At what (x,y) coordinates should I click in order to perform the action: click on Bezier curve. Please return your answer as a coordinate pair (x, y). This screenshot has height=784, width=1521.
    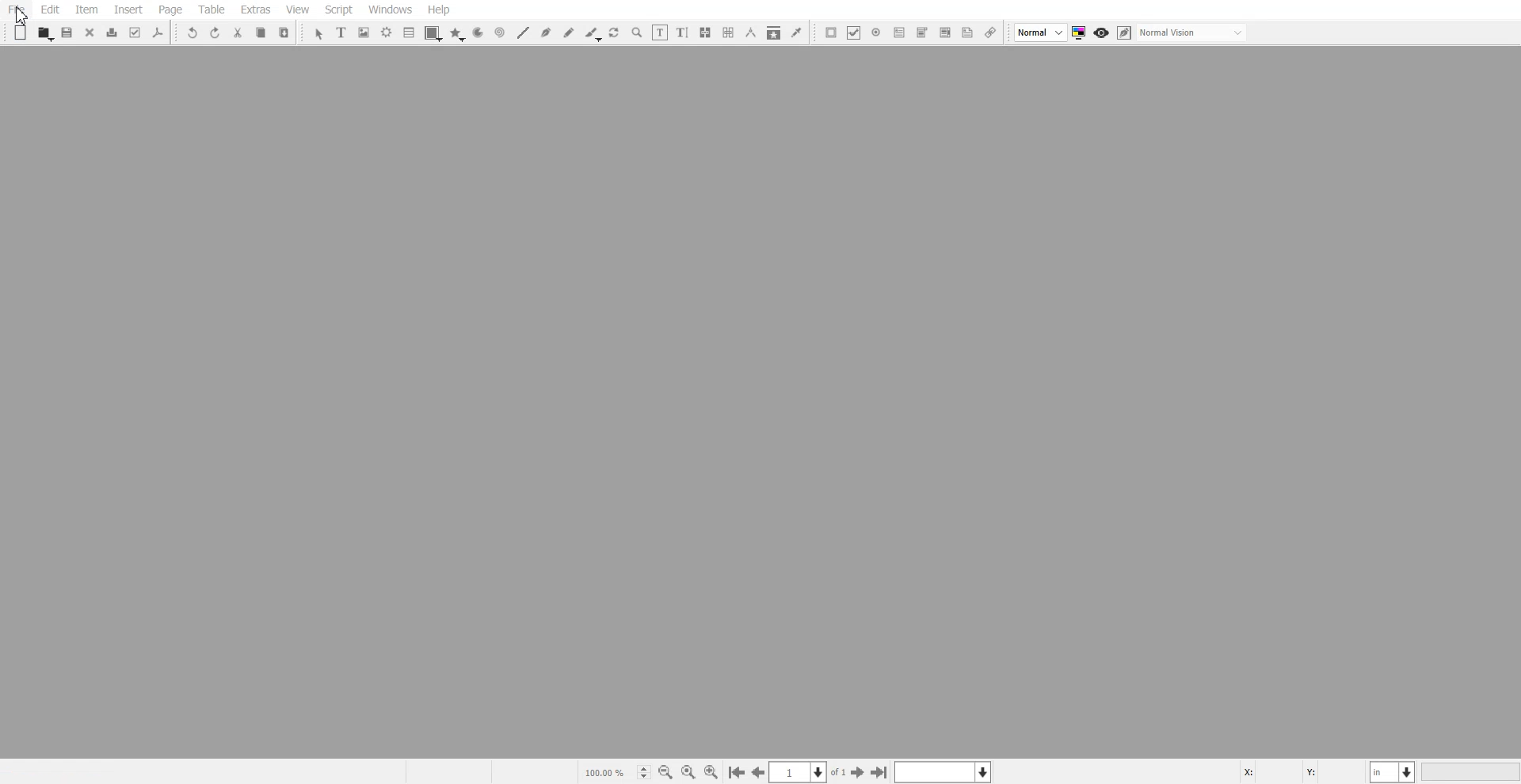
    Looking at the image, I should click on (546, 32).